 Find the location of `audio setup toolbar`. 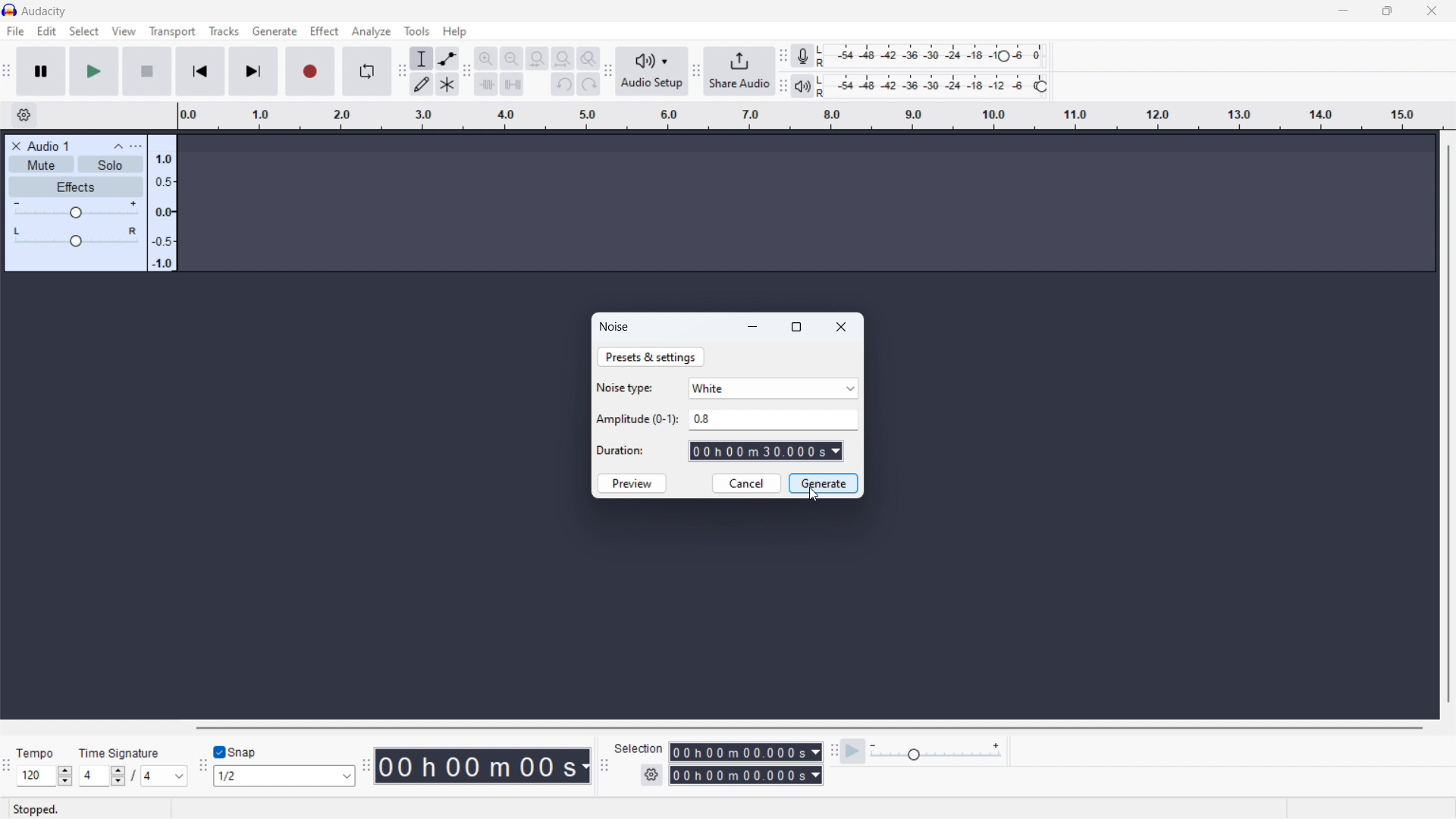

audio setup toolbar is located at coordinates (608, 71).